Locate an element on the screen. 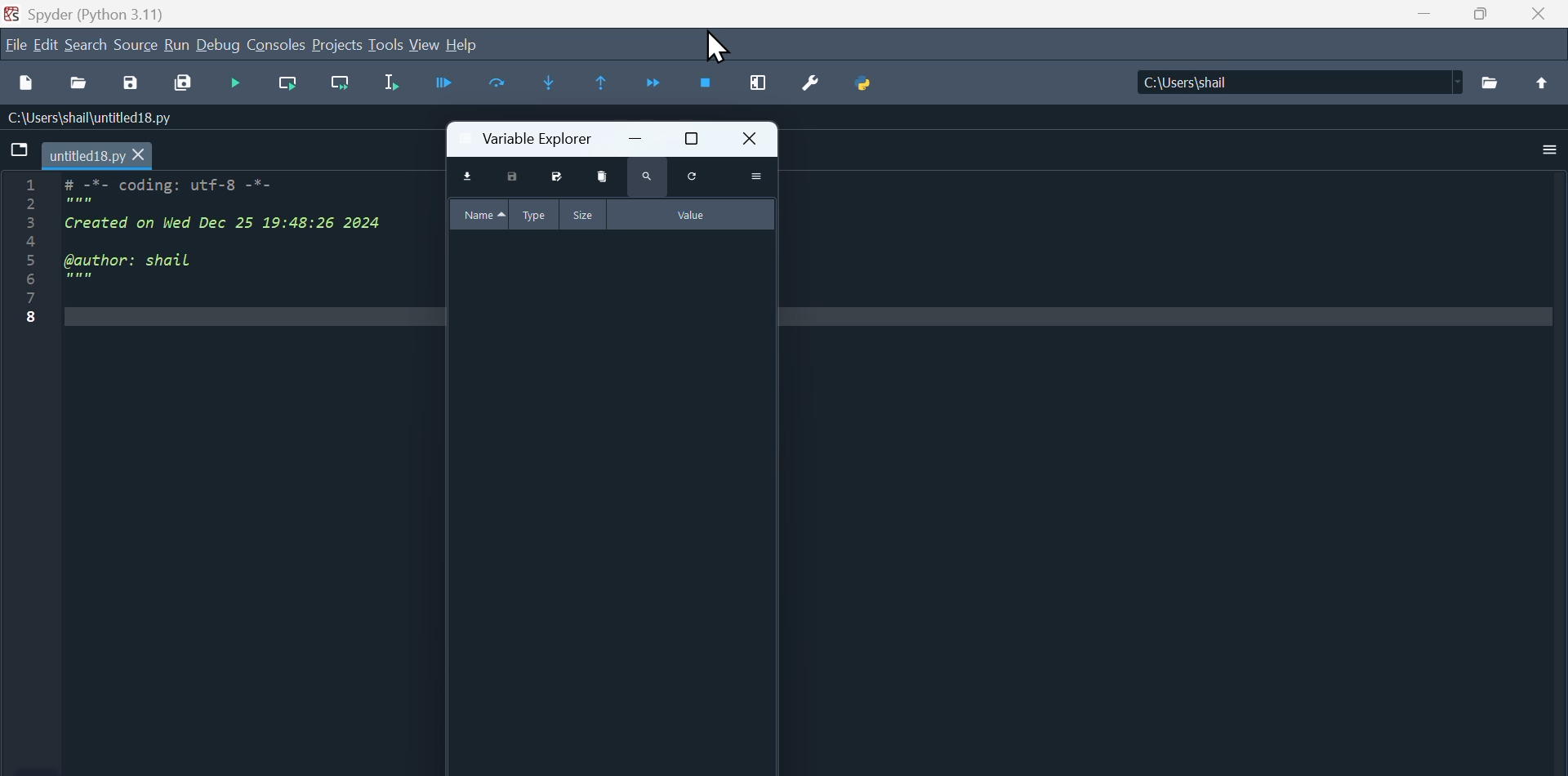 The width and height of the screenshot is (1568, 776). search is located at coordinates (647, 178).